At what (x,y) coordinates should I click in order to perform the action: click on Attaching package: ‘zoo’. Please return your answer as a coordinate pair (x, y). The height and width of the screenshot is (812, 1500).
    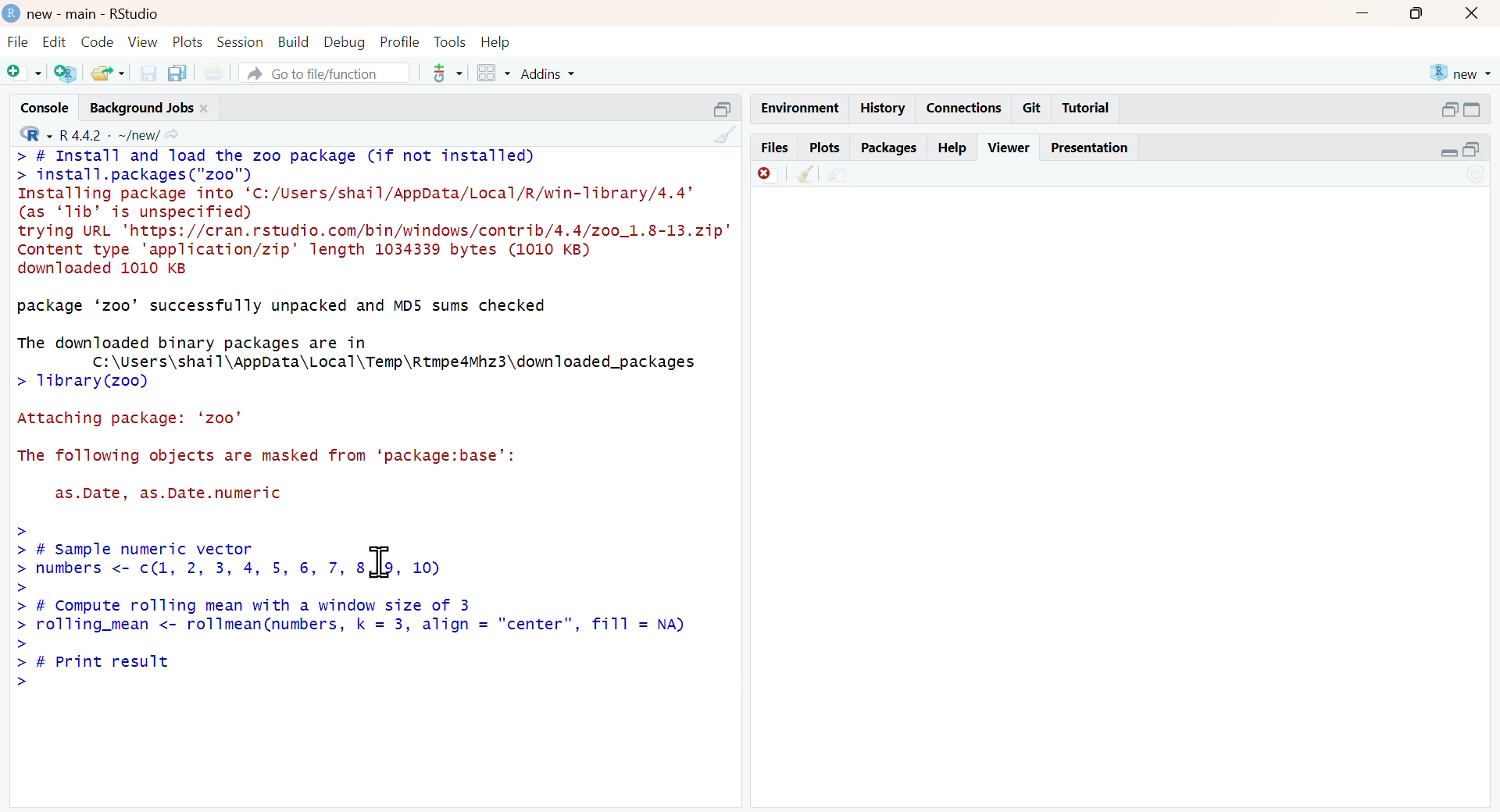
    Looking at the image, I should click on (130, 418).